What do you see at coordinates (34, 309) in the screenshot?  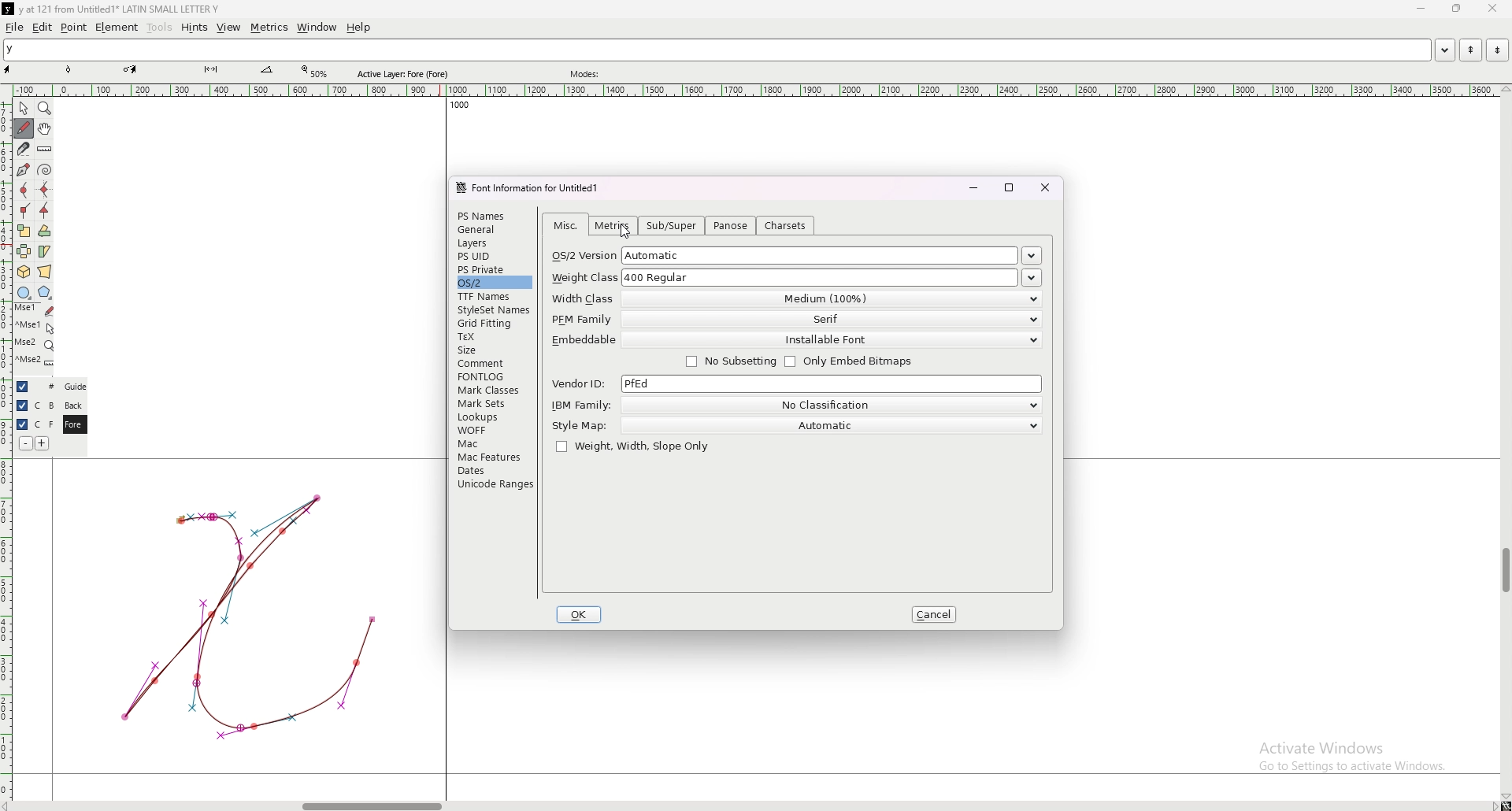 I see `mse 1` at bounding box center [34, 309].